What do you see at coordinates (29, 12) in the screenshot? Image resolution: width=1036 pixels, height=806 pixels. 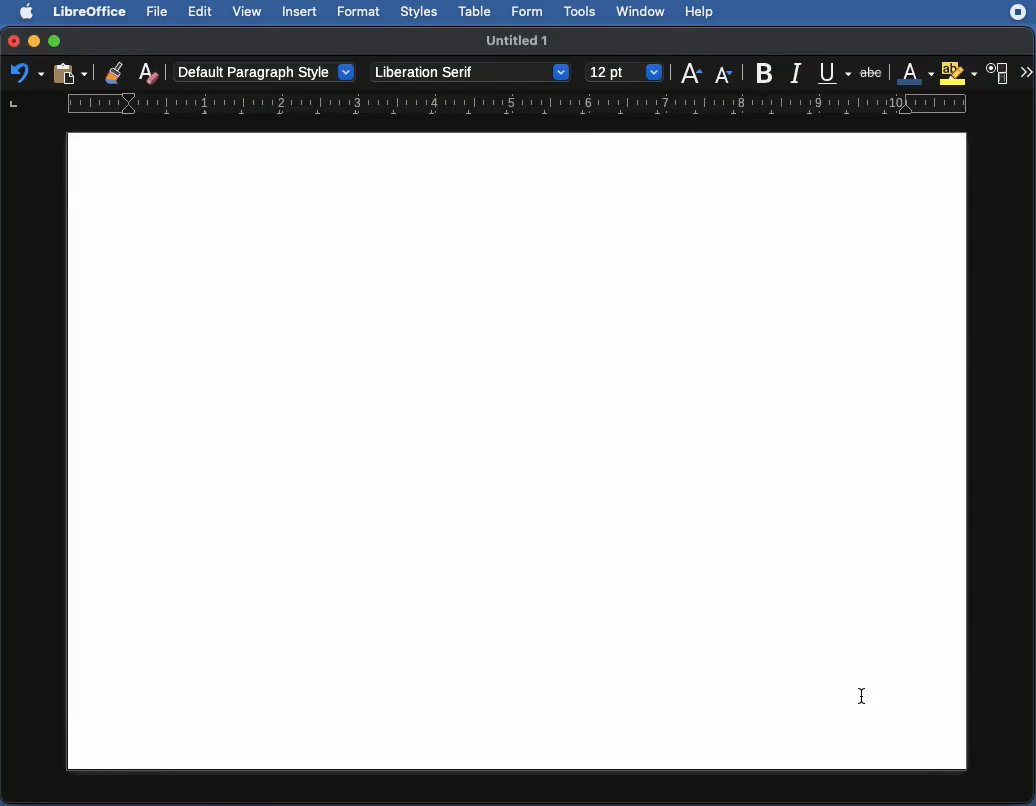 I see `Apple logo` at bounding box center [29, 12].